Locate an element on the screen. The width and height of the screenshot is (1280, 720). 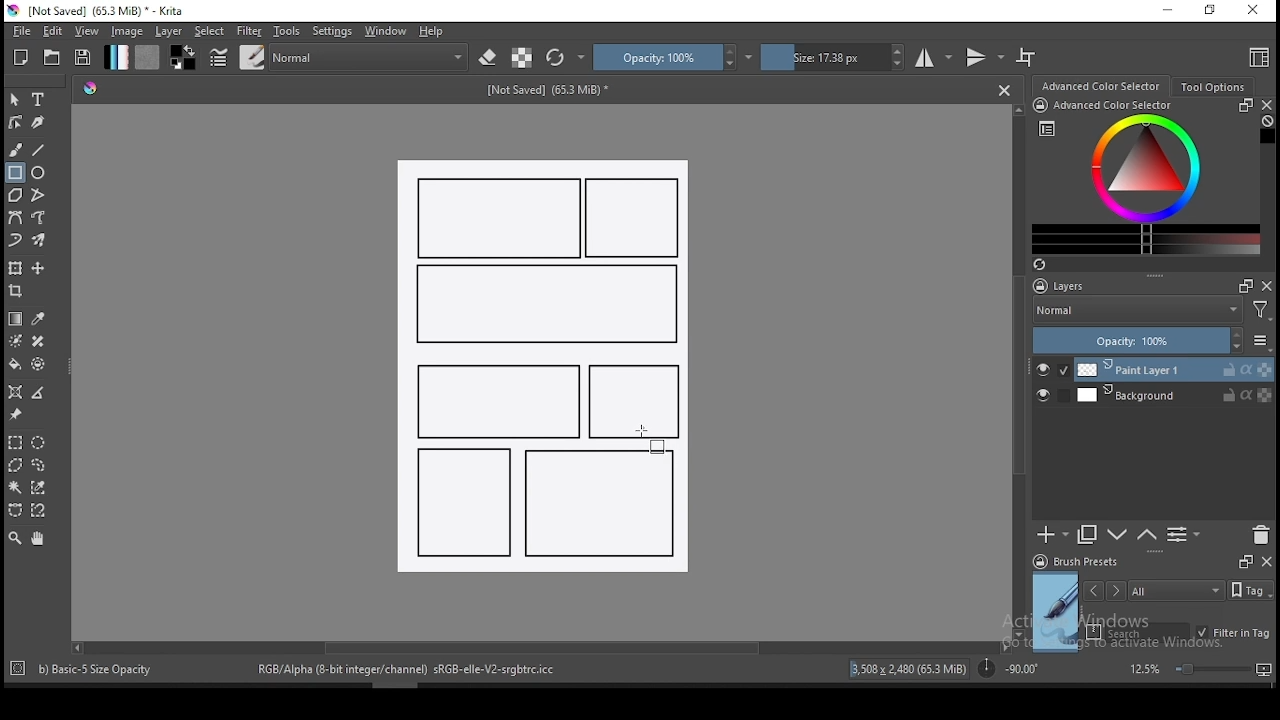
zoom tool is located at coordinates (15, 537).